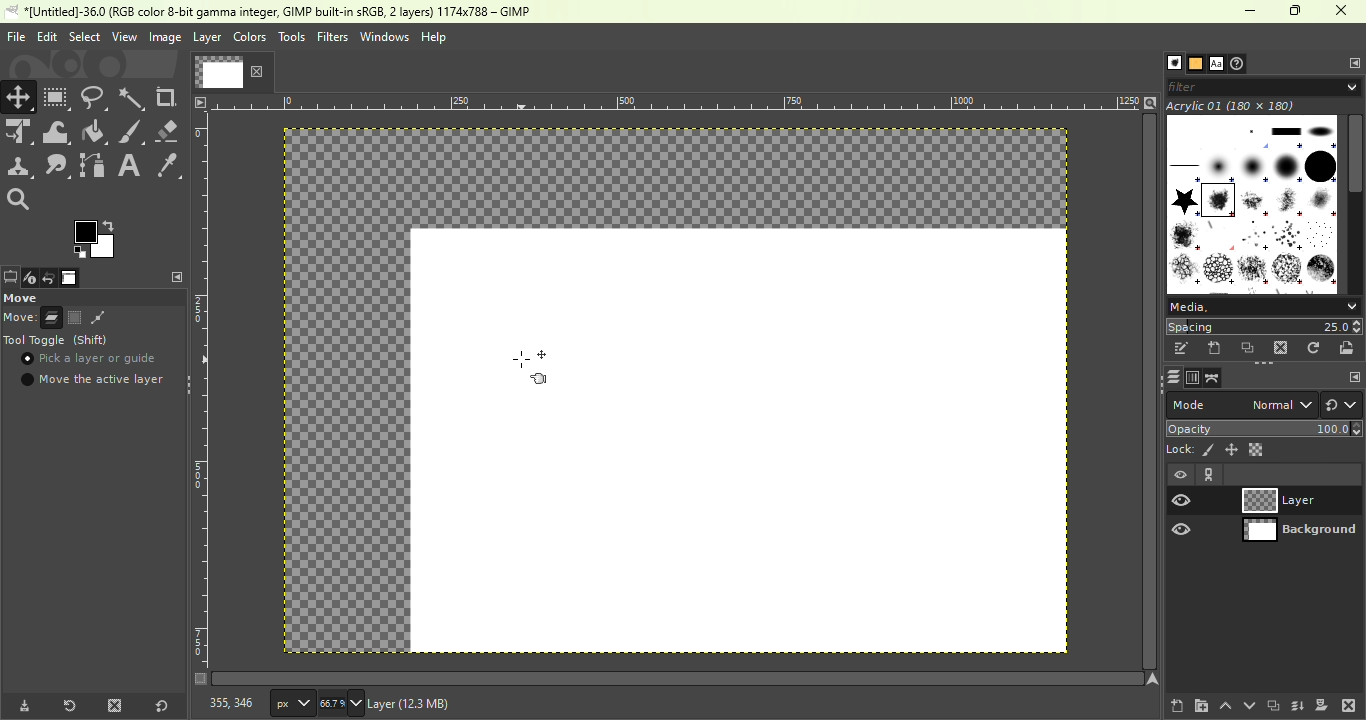  What do you see at coordinates (200, 398) in the screenshot?
I see `Vertical ruler measurment` at bounding box center [200, 398].